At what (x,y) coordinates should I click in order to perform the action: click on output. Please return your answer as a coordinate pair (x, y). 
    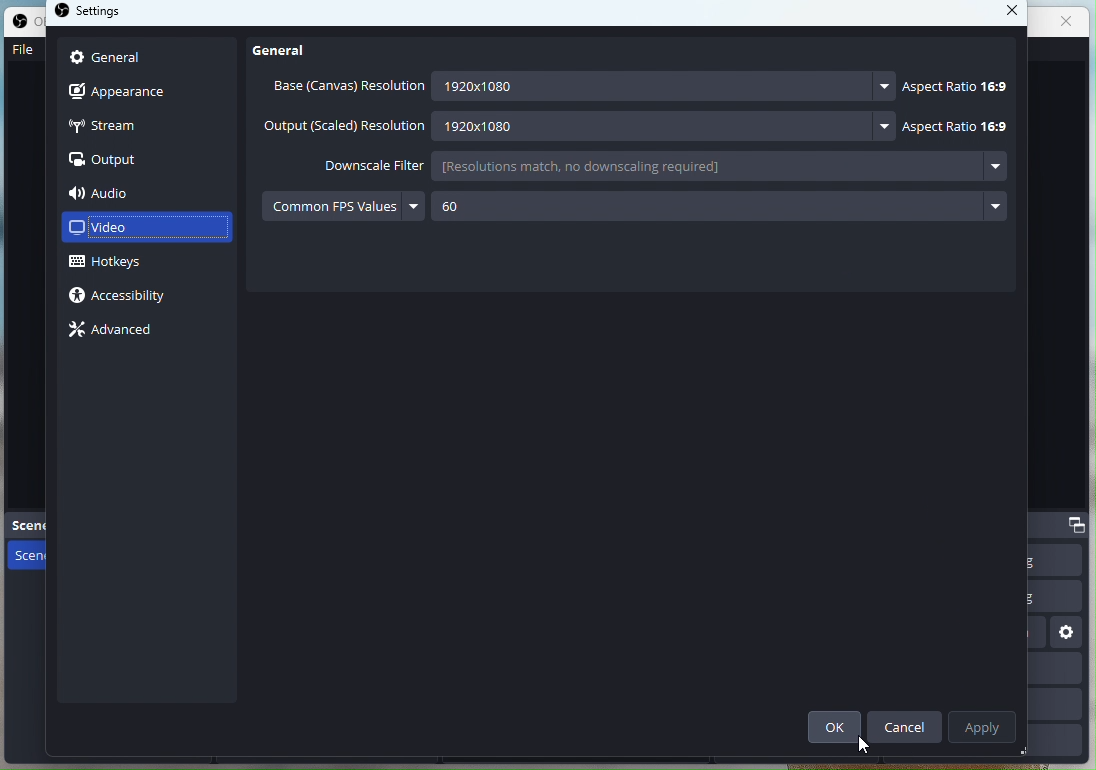
    Looking at the image, I should click on (108, 161).